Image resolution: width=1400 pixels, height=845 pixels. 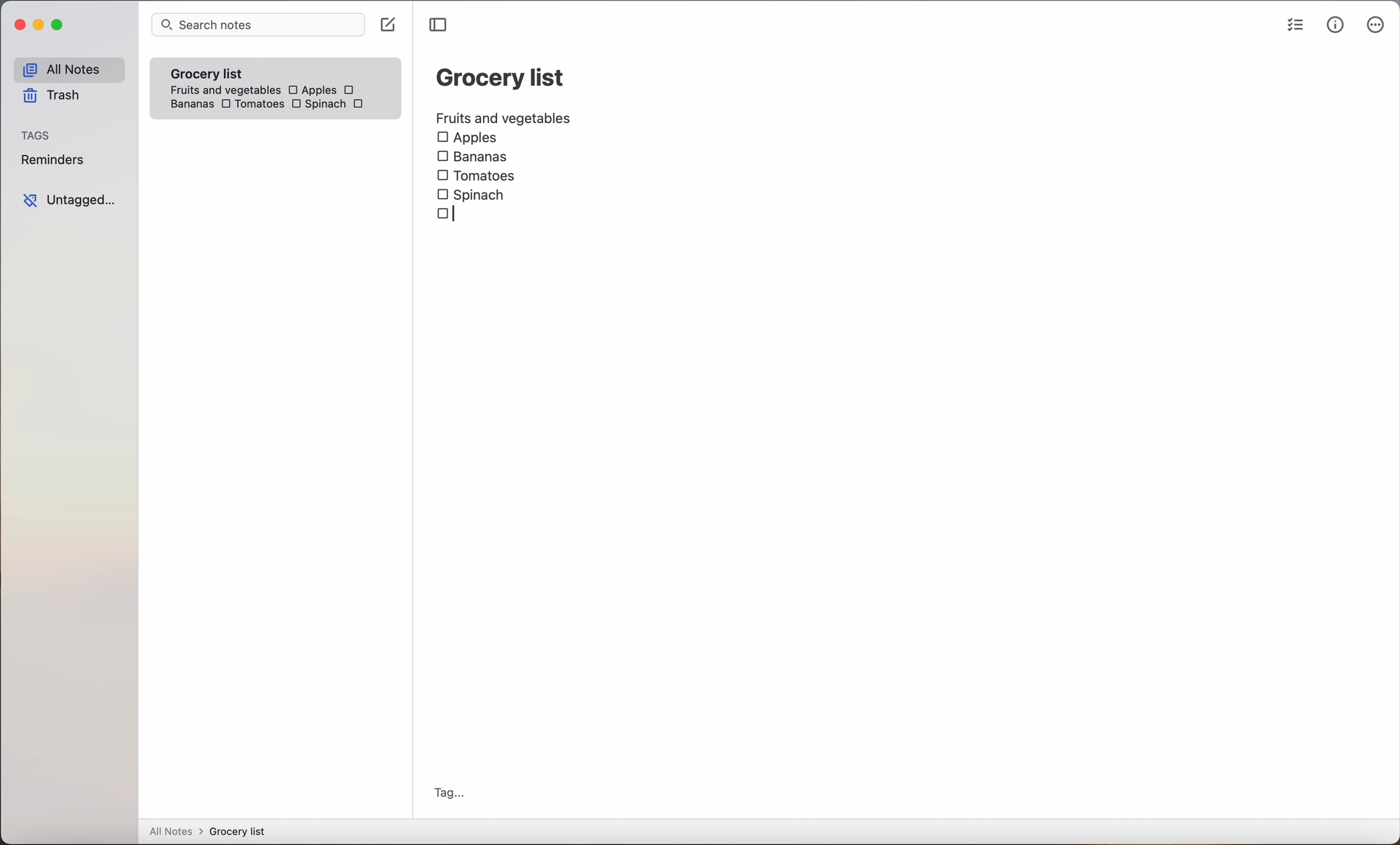 I want to click on close Simplenote, so click(x=19, y=26).